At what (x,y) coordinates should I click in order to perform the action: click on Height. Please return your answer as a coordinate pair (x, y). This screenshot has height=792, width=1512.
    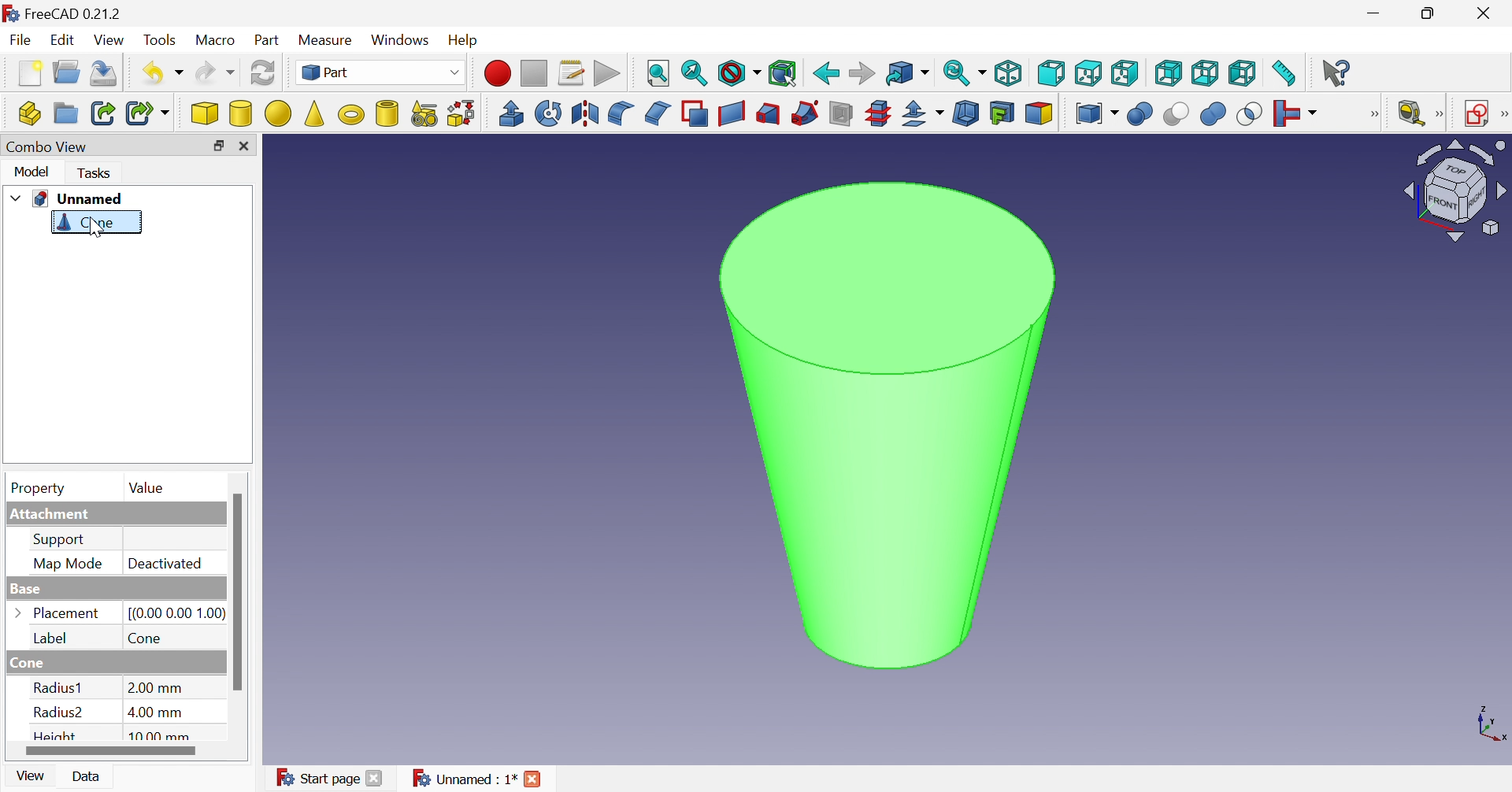
    Looking at the image, I should click on (56, 736).